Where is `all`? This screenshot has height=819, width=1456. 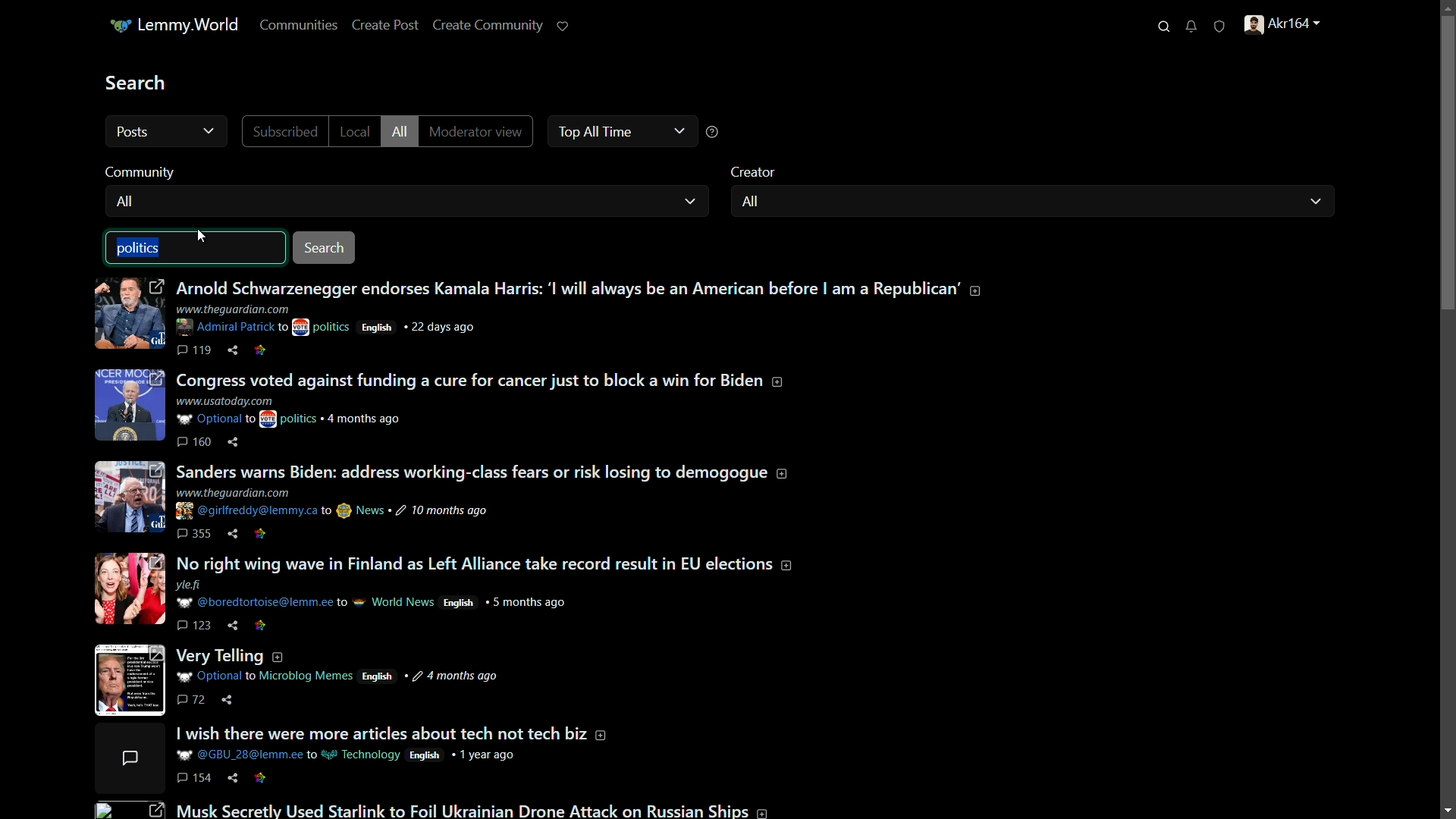 all is located at coordinates (135, 131).